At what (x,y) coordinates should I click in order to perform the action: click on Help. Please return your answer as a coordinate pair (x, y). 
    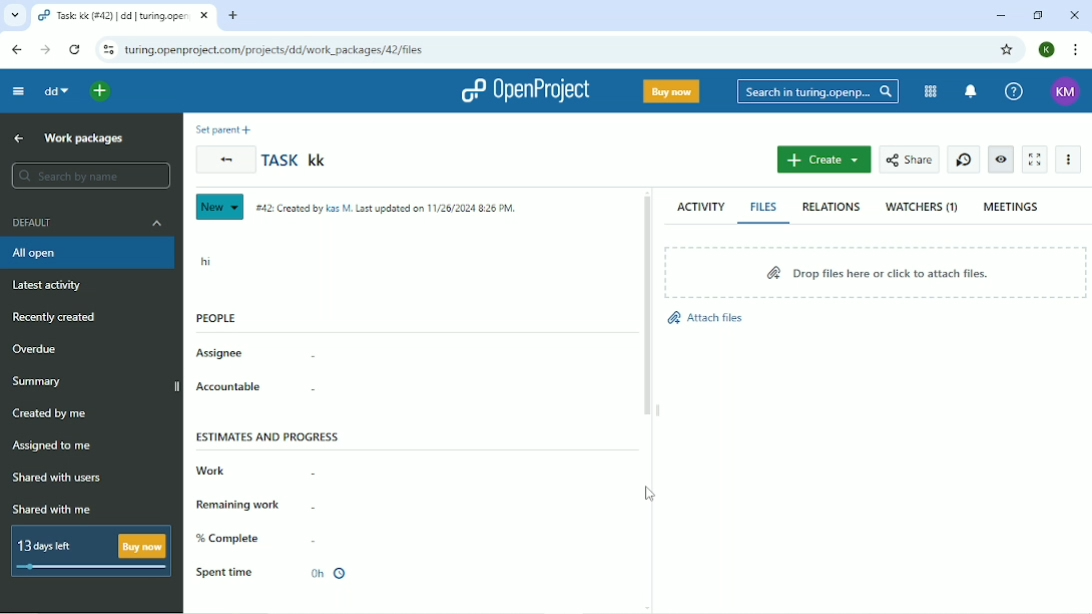
    Looking at the image, I should click on (1012, 91).